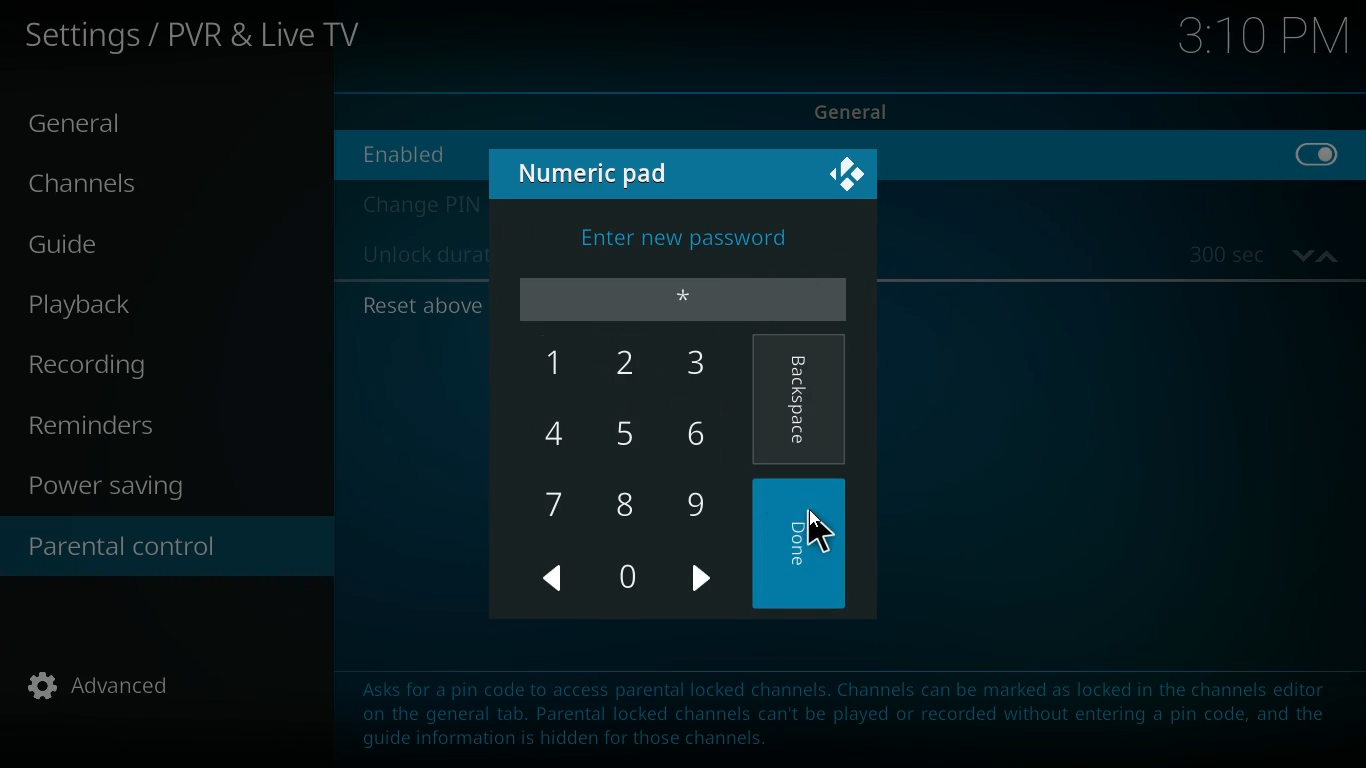 This screenshot has height=768, width=1366. Describe the element at coordinates (686, 234) in the screenshot. I see `enter new password` at that location.